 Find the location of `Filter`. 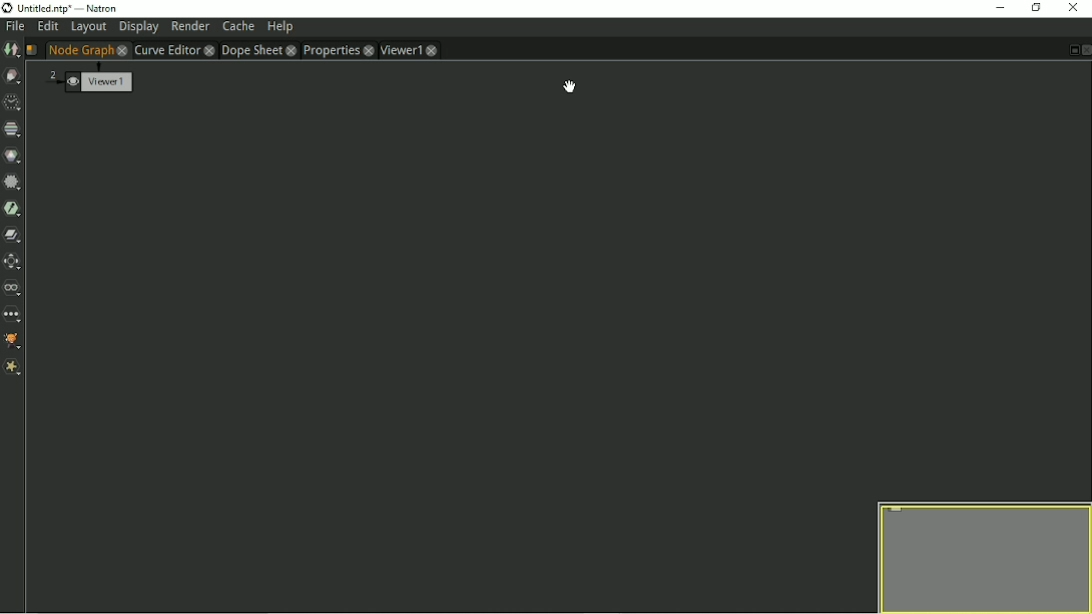

Filter is located at coordinates (13, 183).